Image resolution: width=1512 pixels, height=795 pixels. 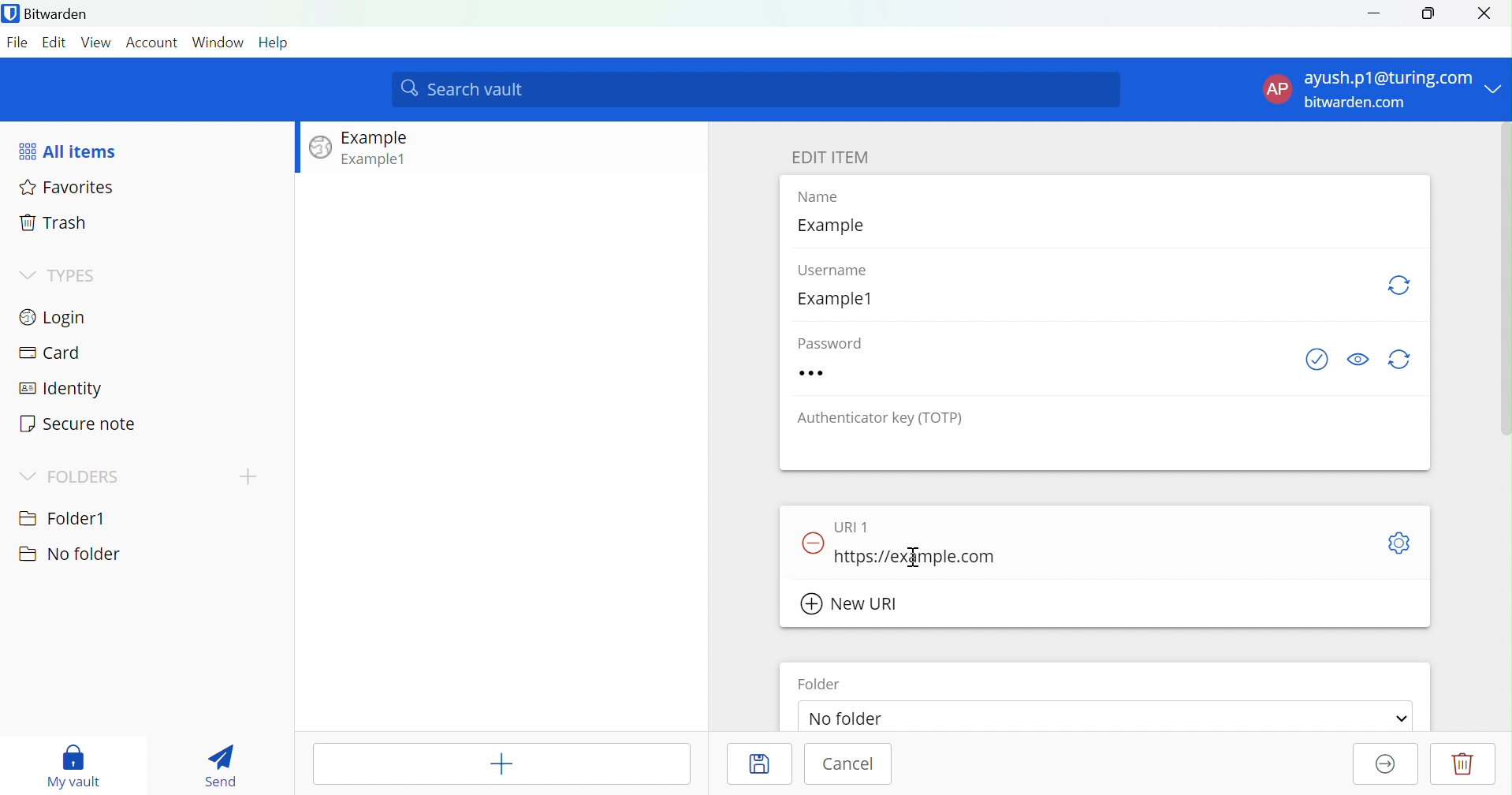 I want to click on AP, so click(x=1277, y=90).